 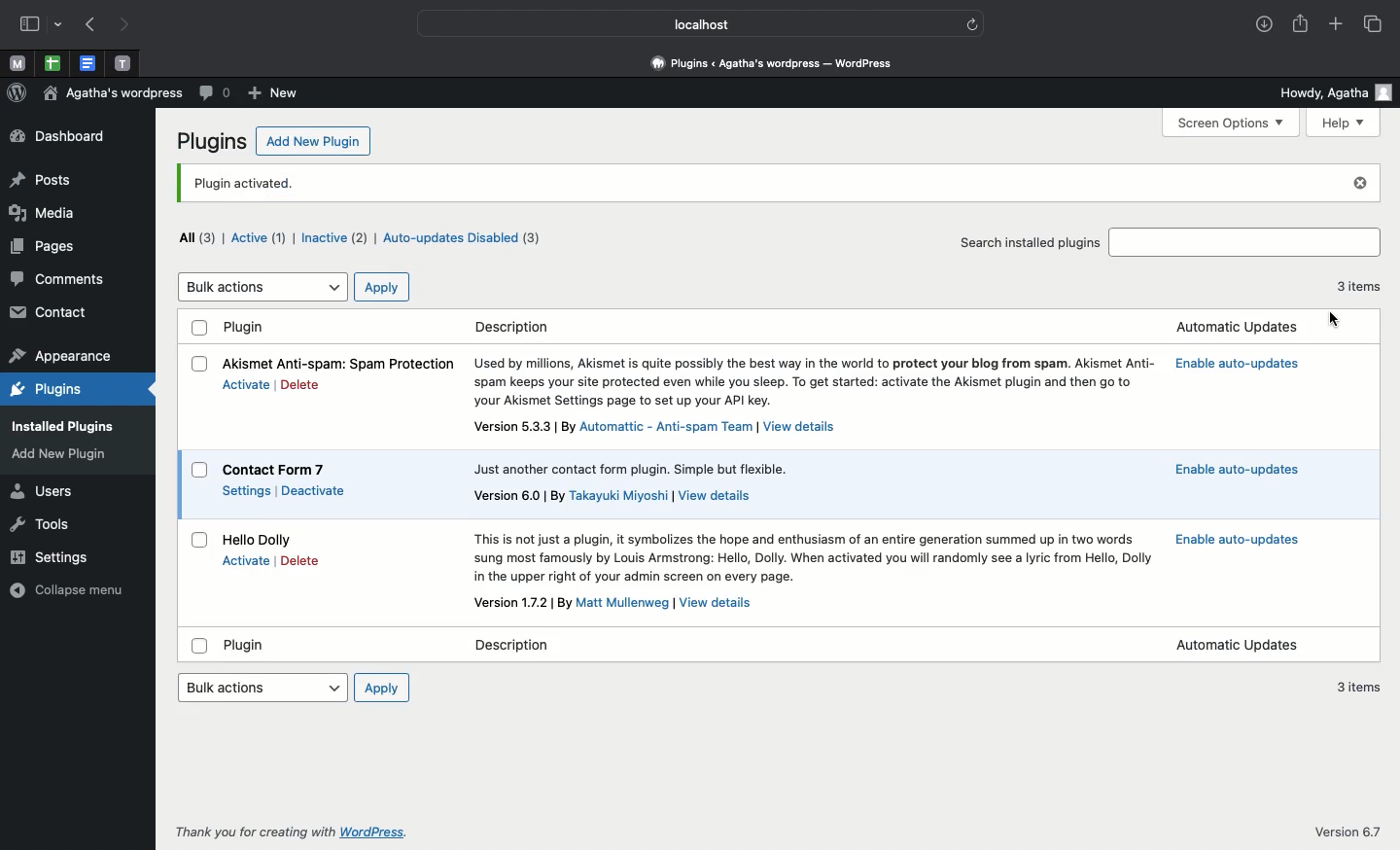 What do you see at coordinates (43, 246) in the screenshot?
I see `pages` at bounding box center [43, 246].